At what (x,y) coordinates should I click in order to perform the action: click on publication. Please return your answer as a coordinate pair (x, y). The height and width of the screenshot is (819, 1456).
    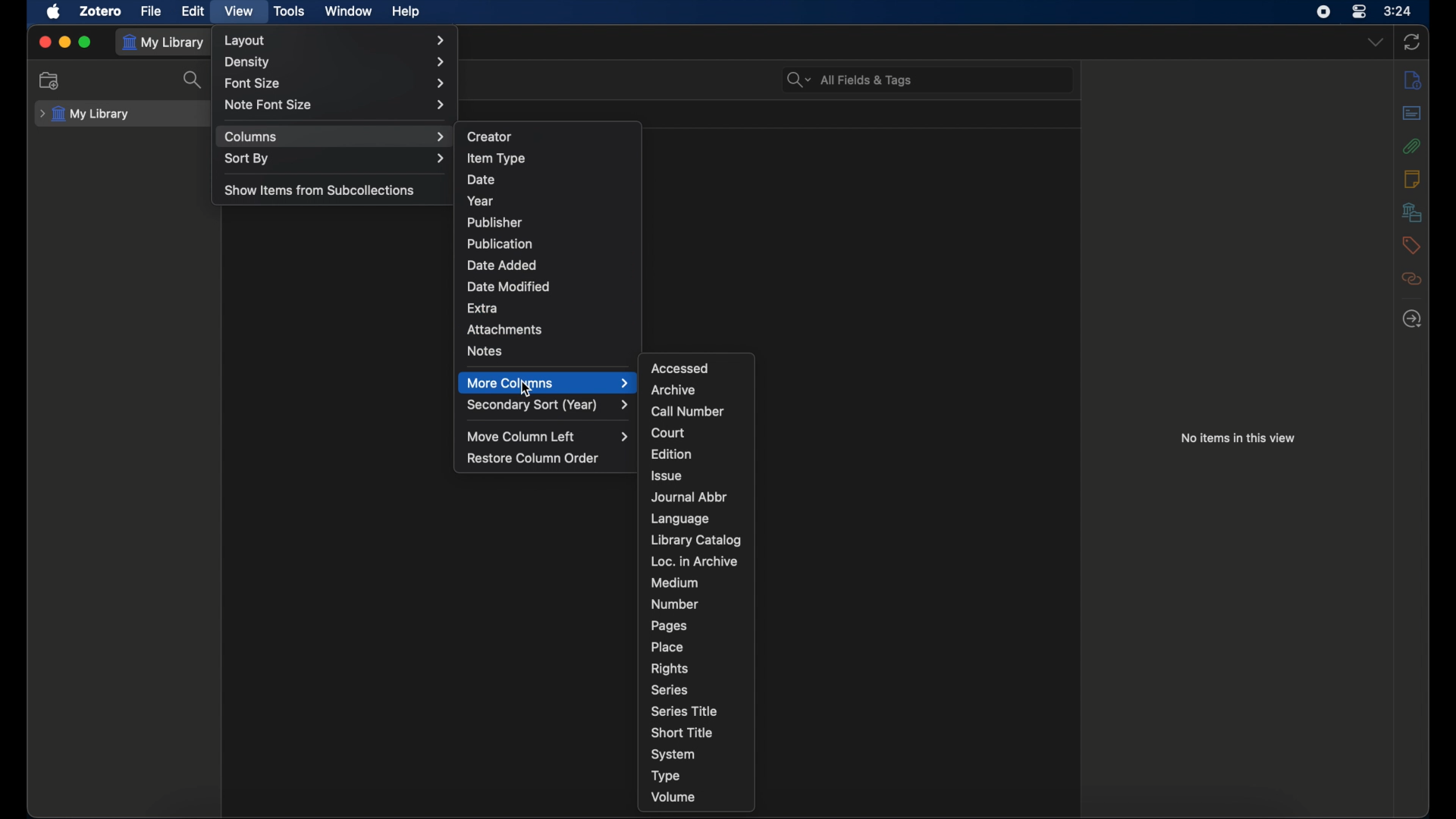
    Looking at the image, I should click on (497, 243).